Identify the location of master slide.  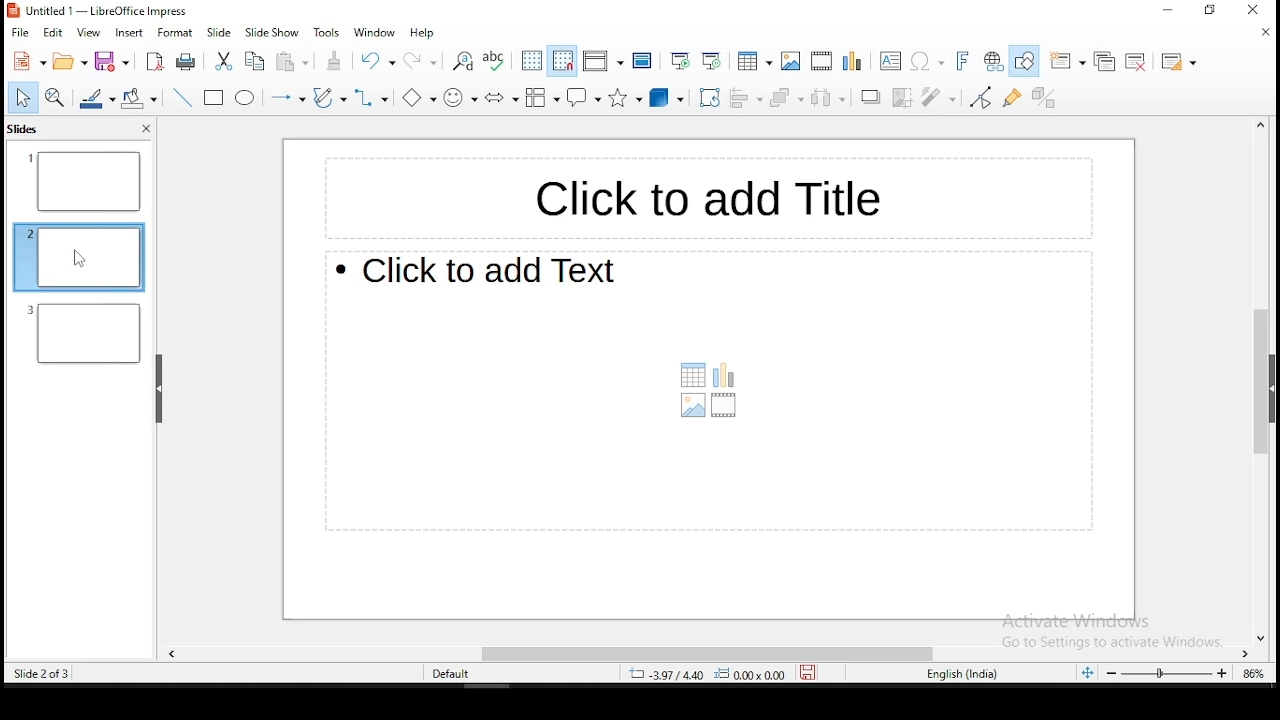
(644, 60).